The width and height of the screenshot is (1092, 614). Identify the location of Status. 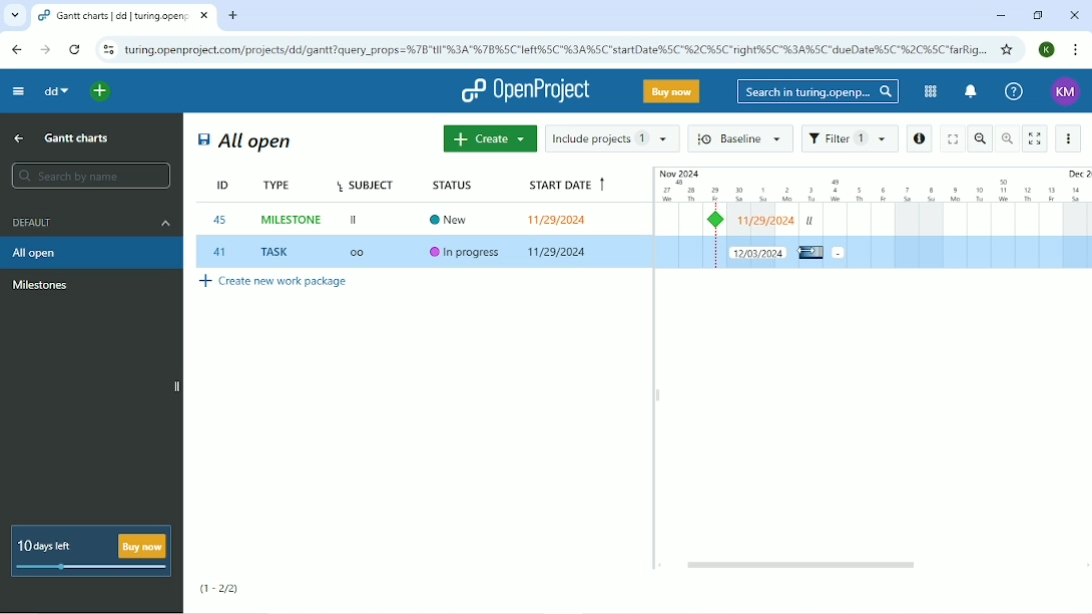
(457, 185).